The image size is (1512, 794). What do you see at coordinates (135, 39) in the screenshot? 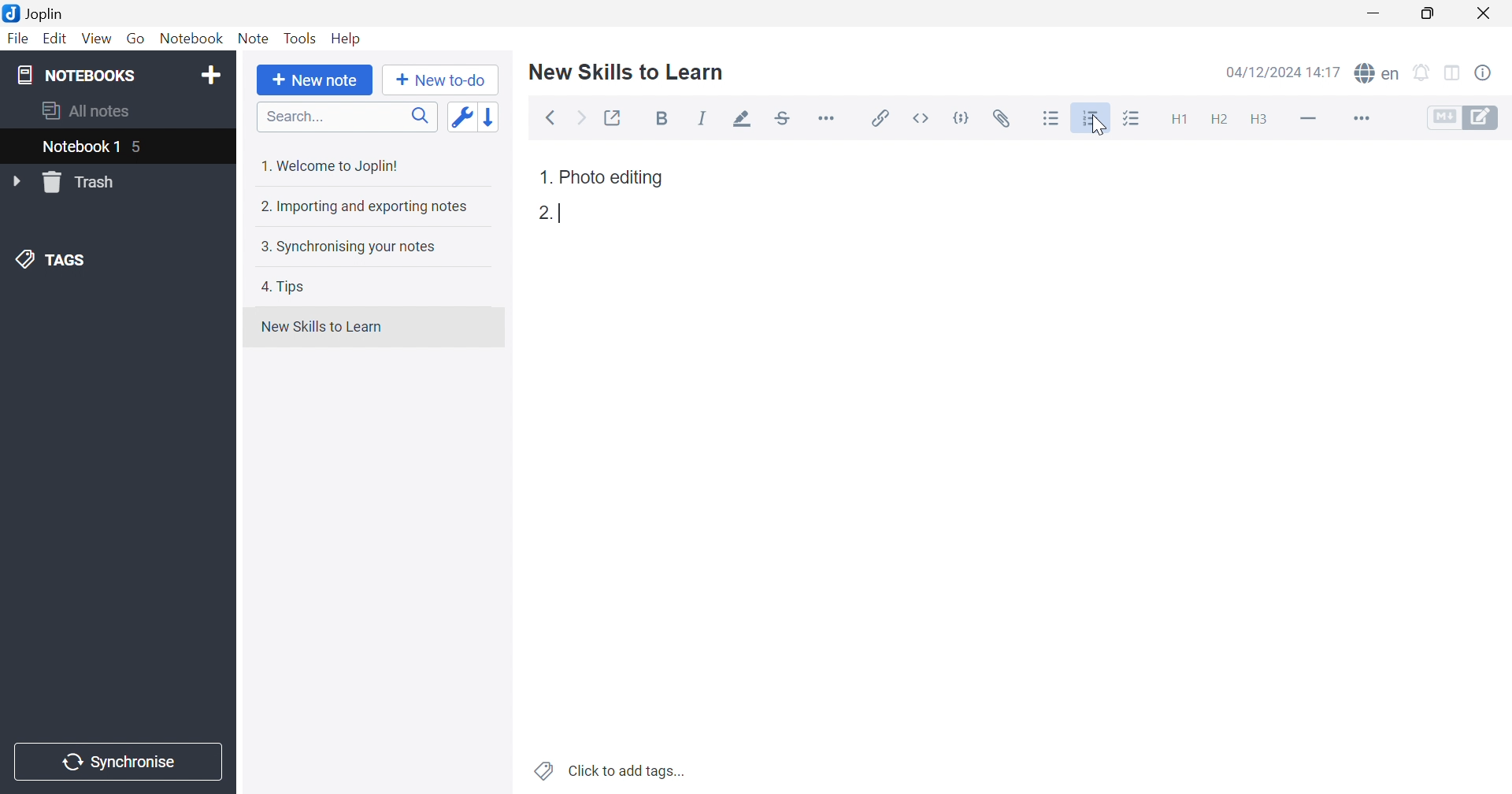
I see `Go` at bounding box center [135, 39].